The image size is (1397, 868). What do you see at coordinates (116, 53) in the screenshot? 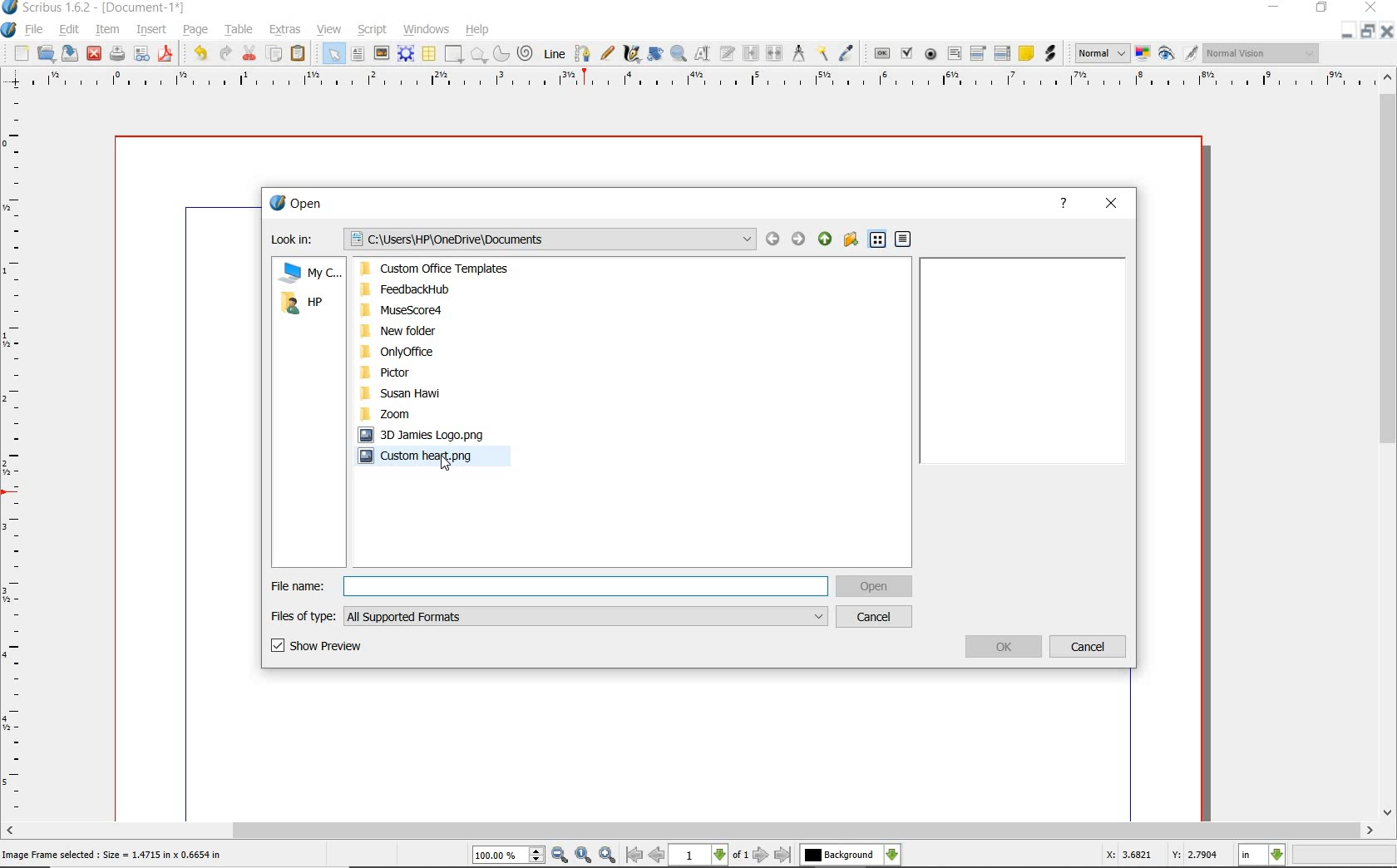
I see `print` at bounding box center [116, 53].